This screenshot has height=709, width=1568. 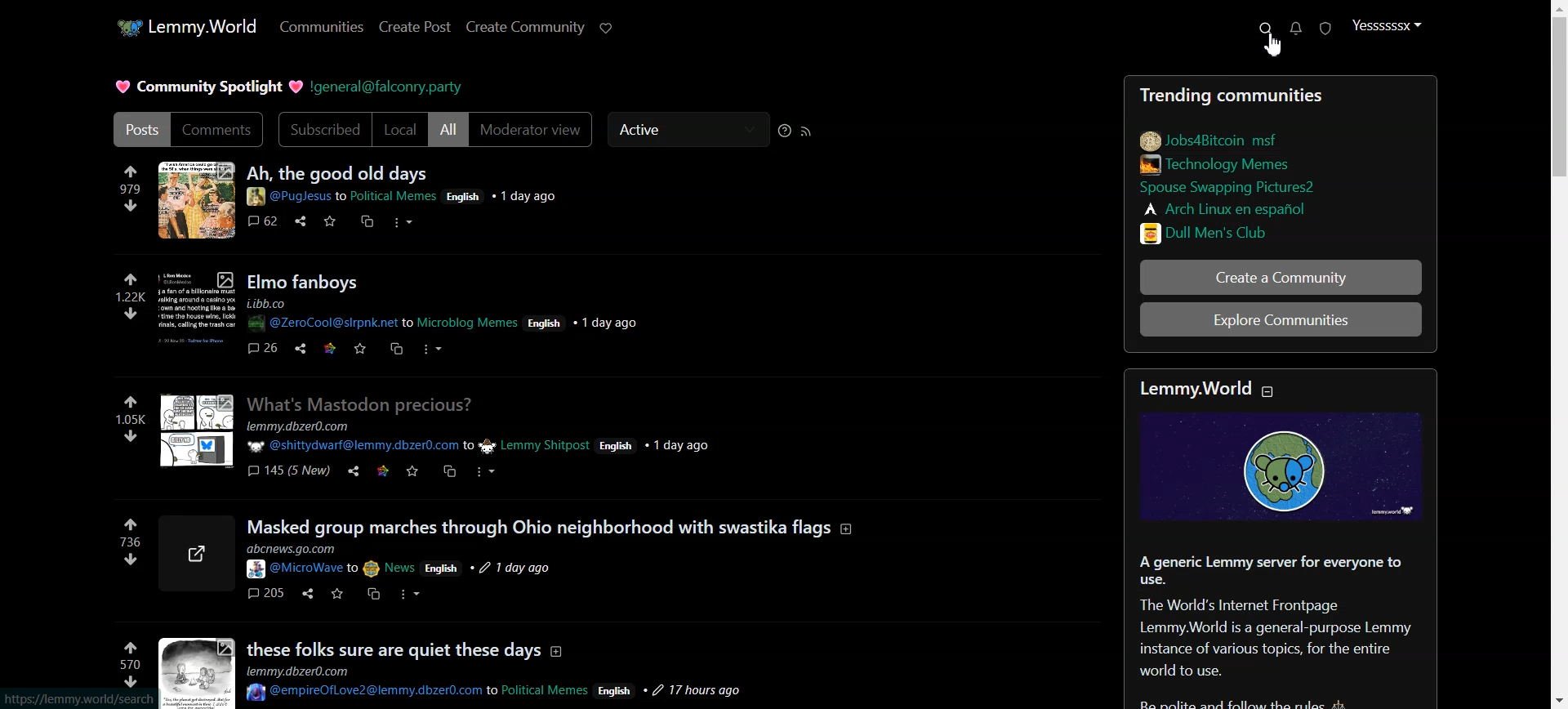 I want to click on post, so click(x=306, y=280).